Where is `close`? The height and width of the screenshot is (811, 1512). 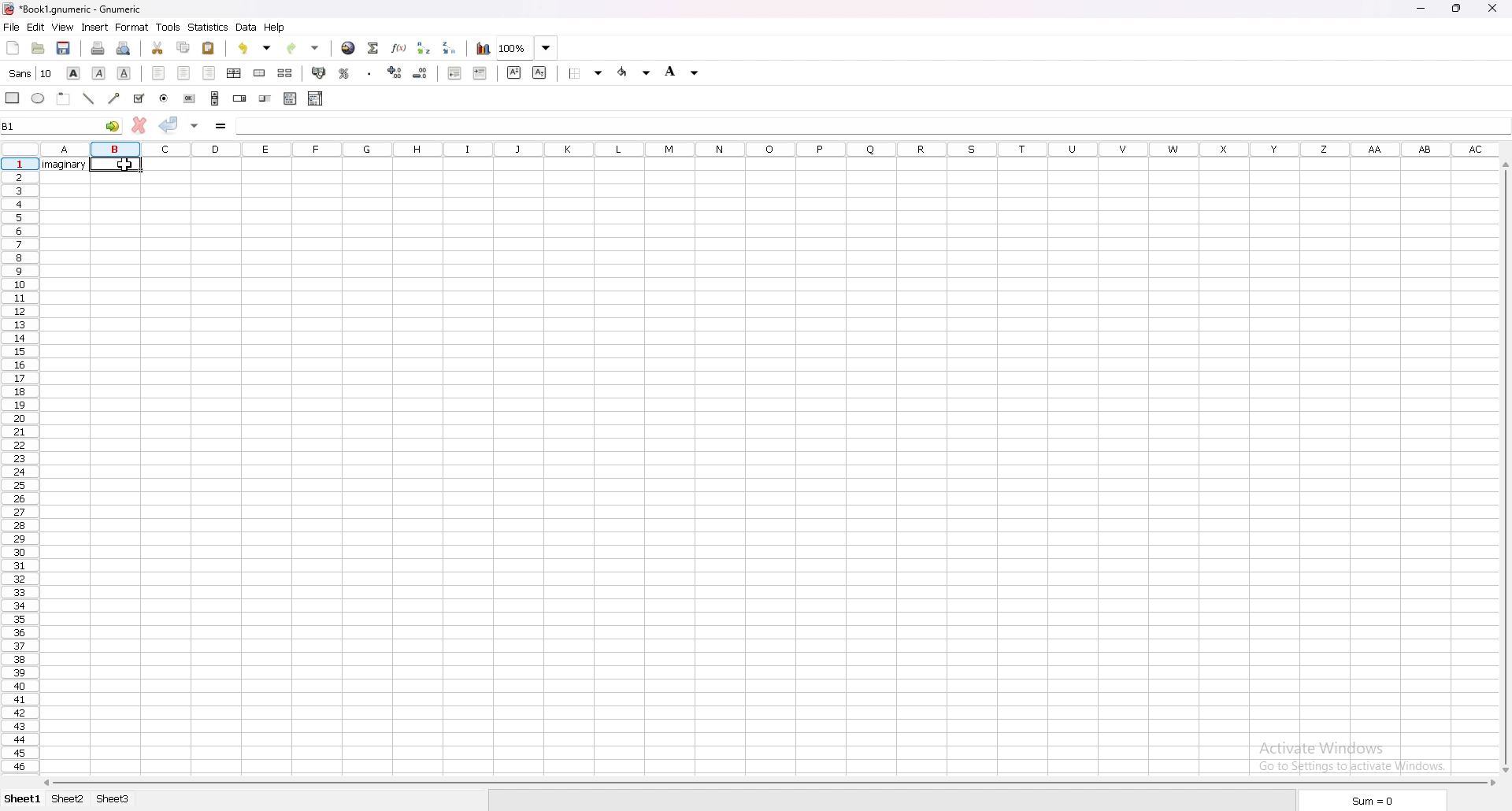 close is located at coordinates (1493, 8).